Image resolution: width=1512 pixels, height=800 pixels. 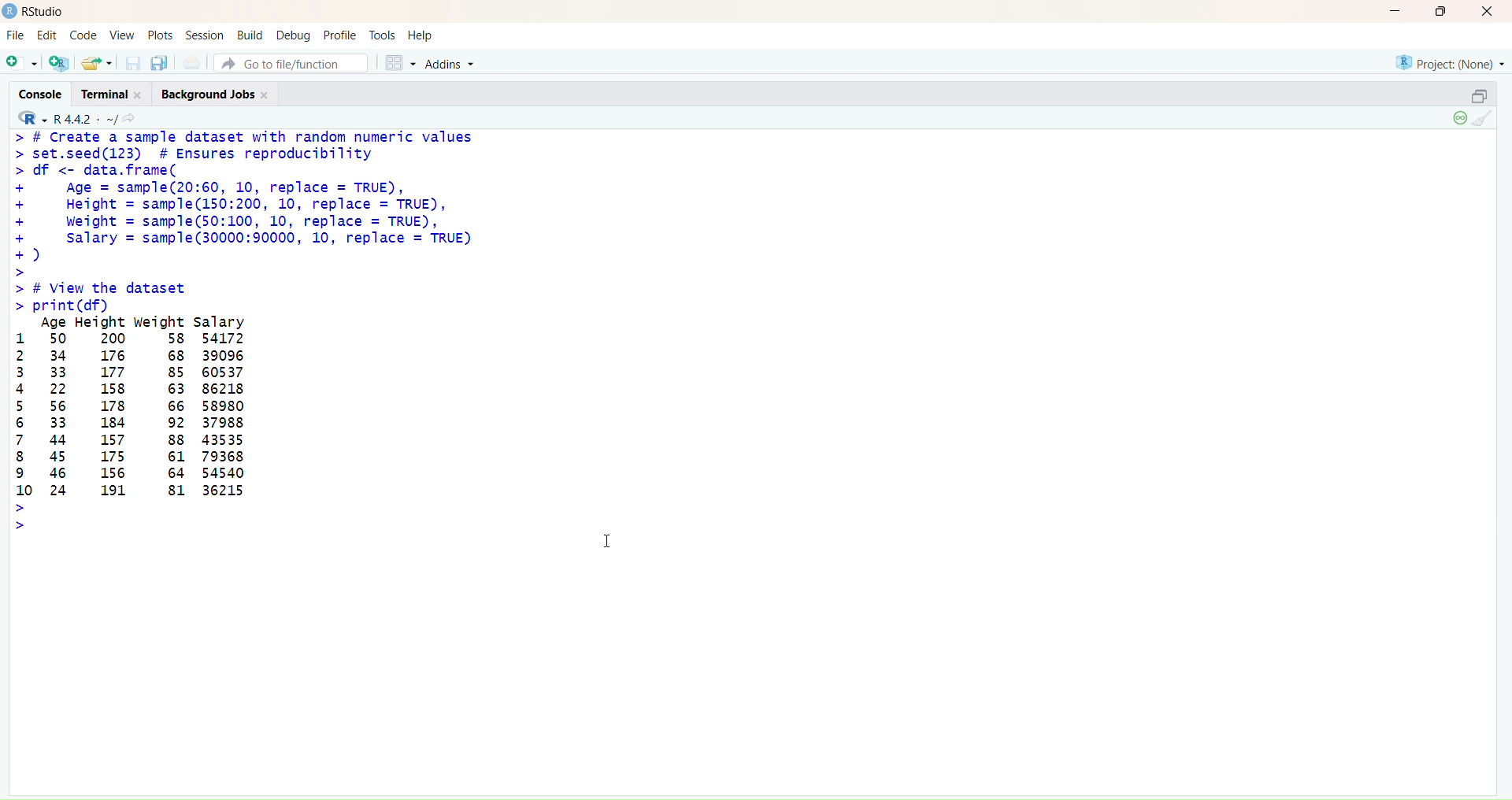 I want to click on Create a project, so click(x=57, y=61).